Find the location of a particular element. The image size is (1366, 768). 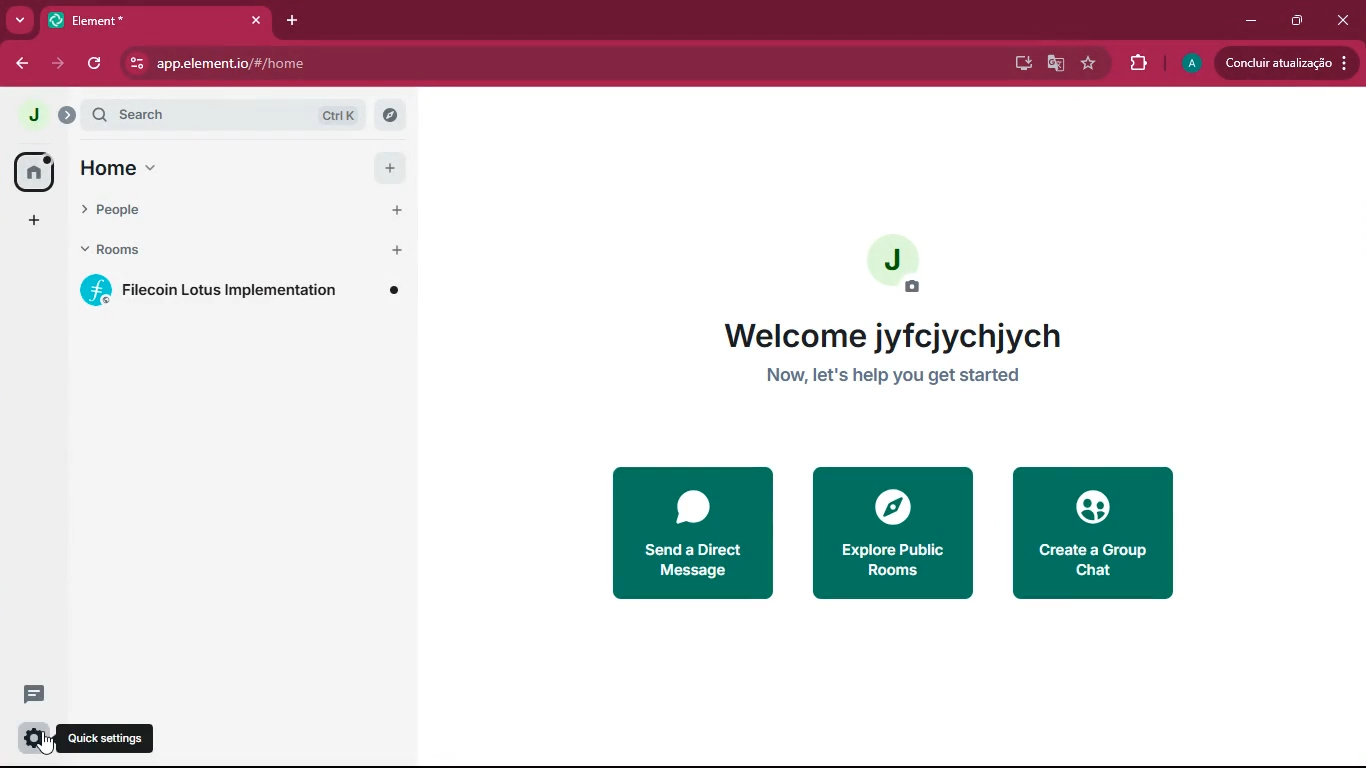

settings is located at coordinates (30, 739).